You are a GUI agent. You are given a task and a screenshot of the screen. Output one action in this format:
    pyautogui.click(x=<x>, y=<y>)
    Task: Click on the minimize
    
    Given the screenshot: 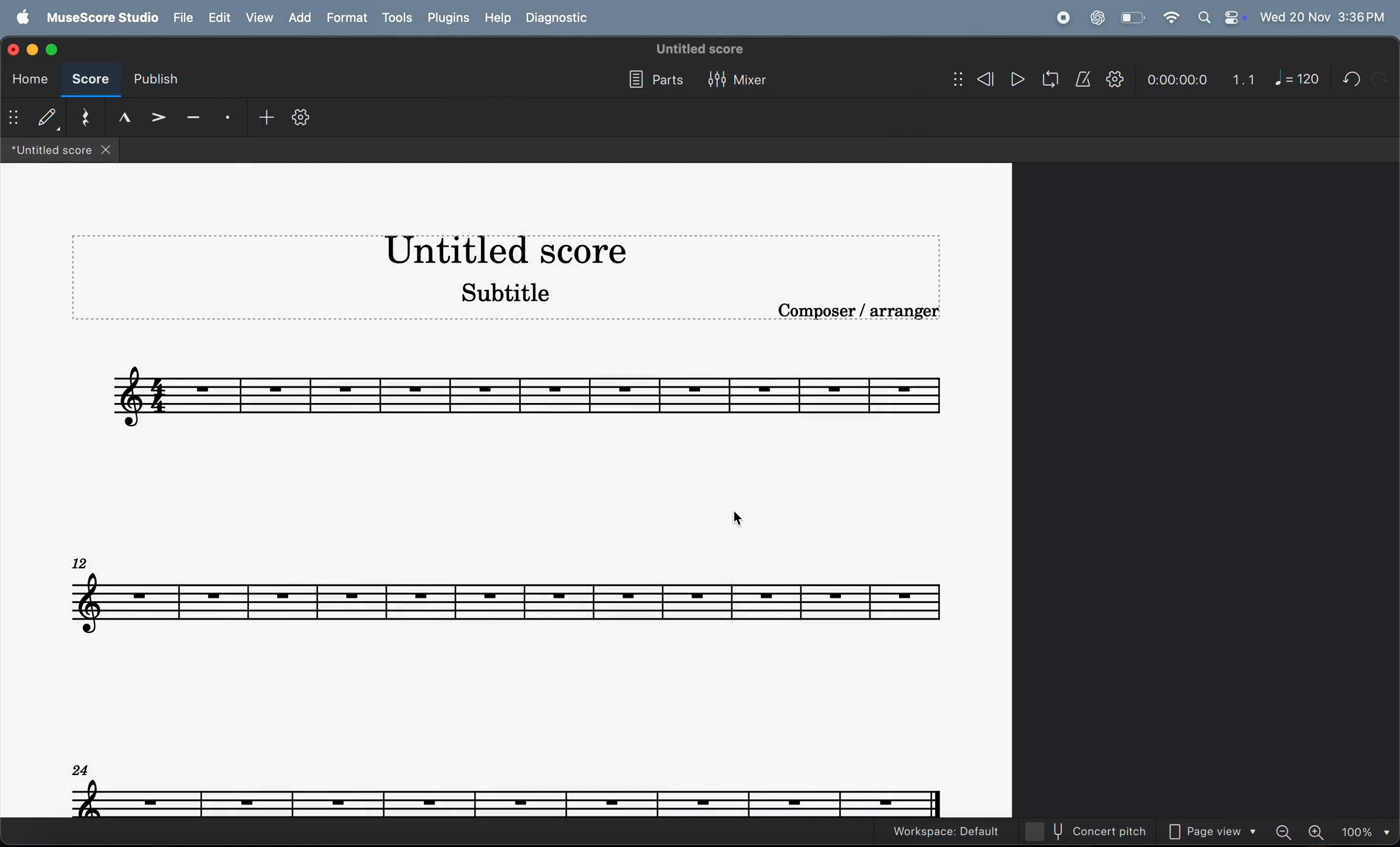 What is the action you would take?
    pyautogui.click(x=35, y=48)
    